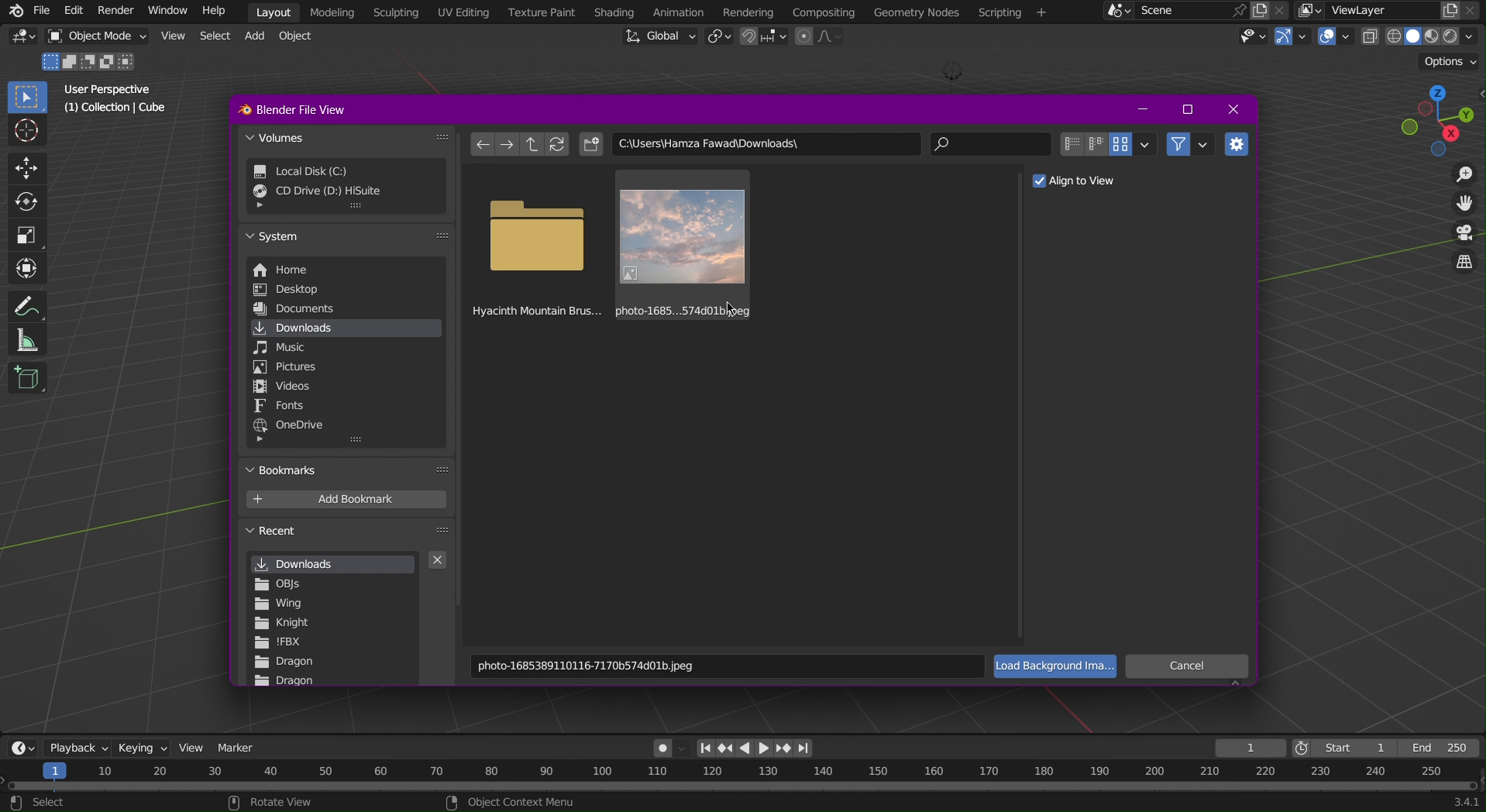 The image size is (1486, 812). What do you see at coordinates (307, 308) in the screenshot?
I see `Documents` at bounding box center [307, 308].